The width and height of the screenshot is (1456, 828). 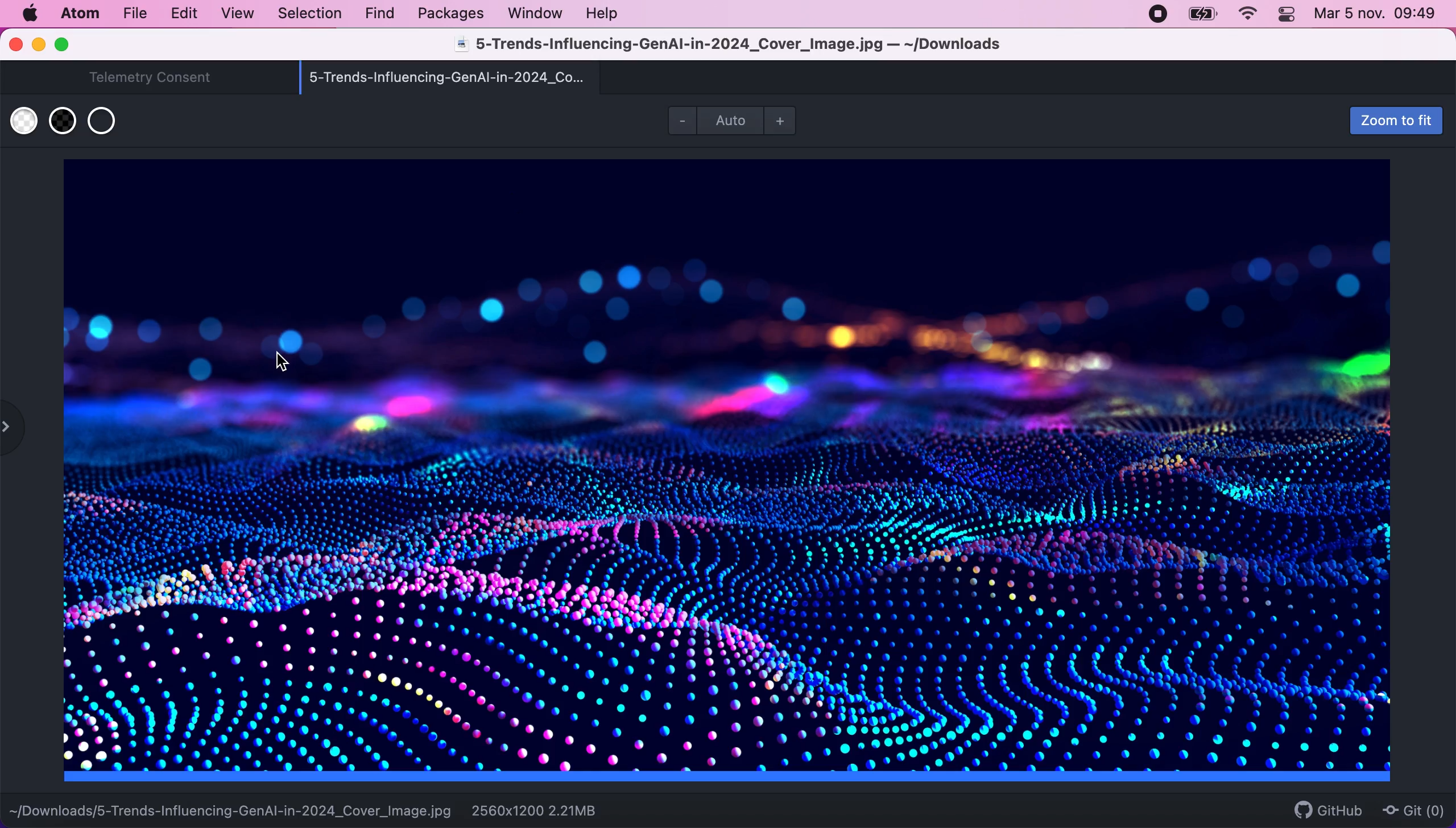 What do you see at coordinates (377, 13) in the screenshot?
I see `find` at bounding box center [377, 13].